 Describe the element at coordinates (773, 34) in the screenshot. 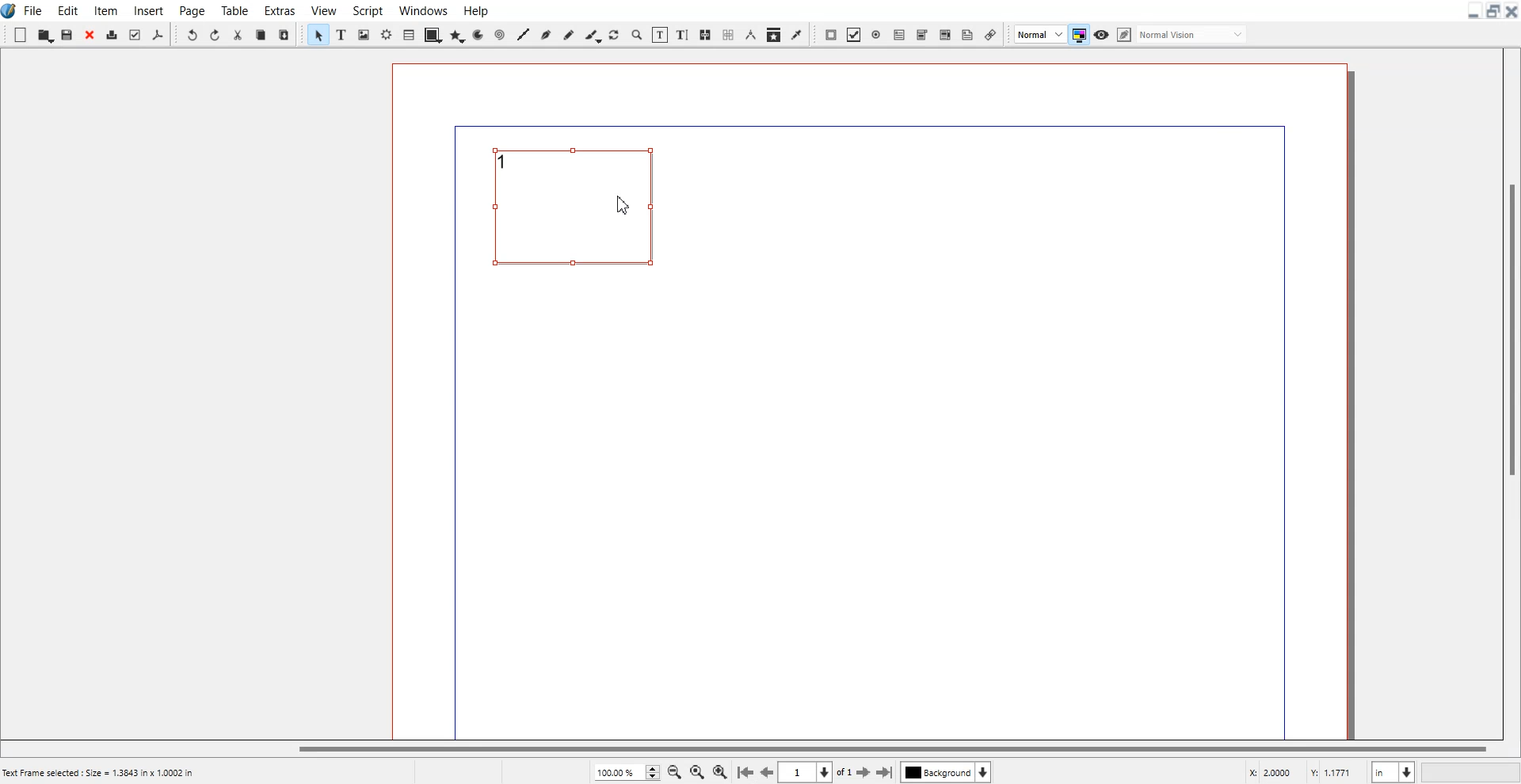

I see `Copy item Properties` at that location.